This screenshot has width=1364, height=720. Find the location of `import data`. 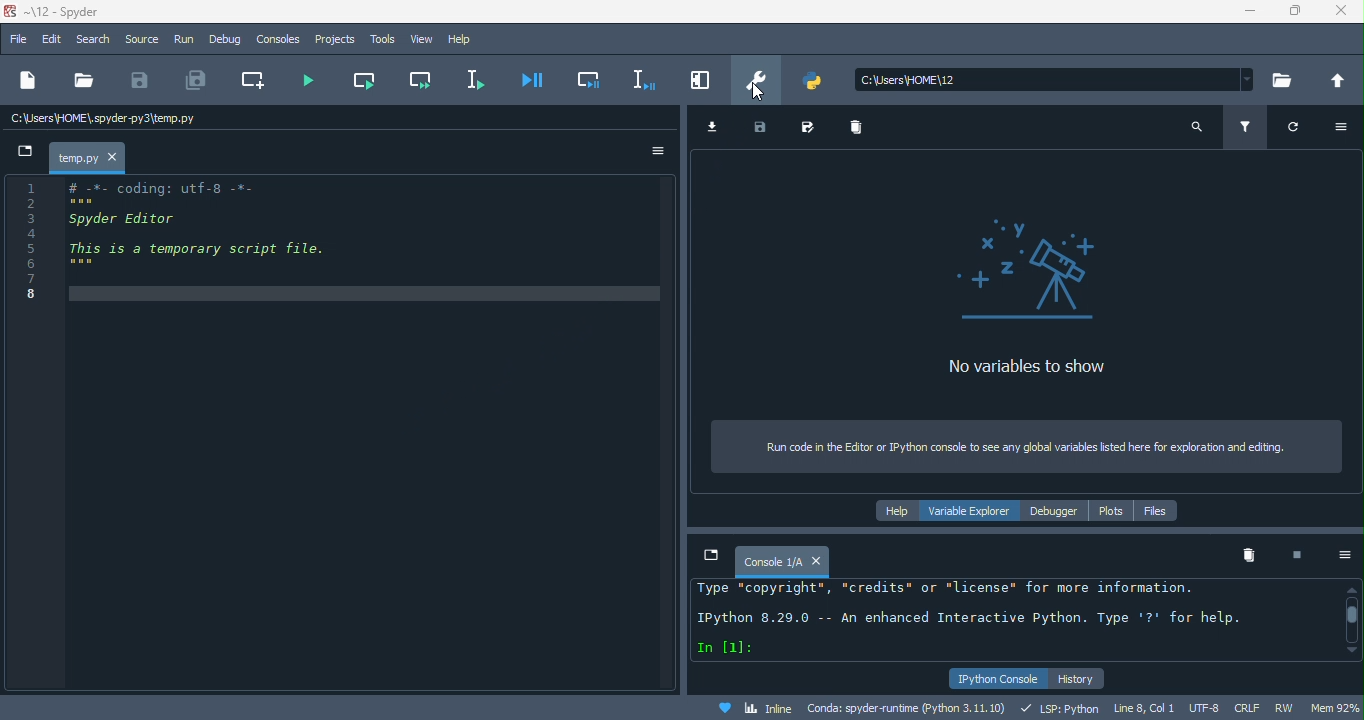

import data is located at coordinates (721, 126).